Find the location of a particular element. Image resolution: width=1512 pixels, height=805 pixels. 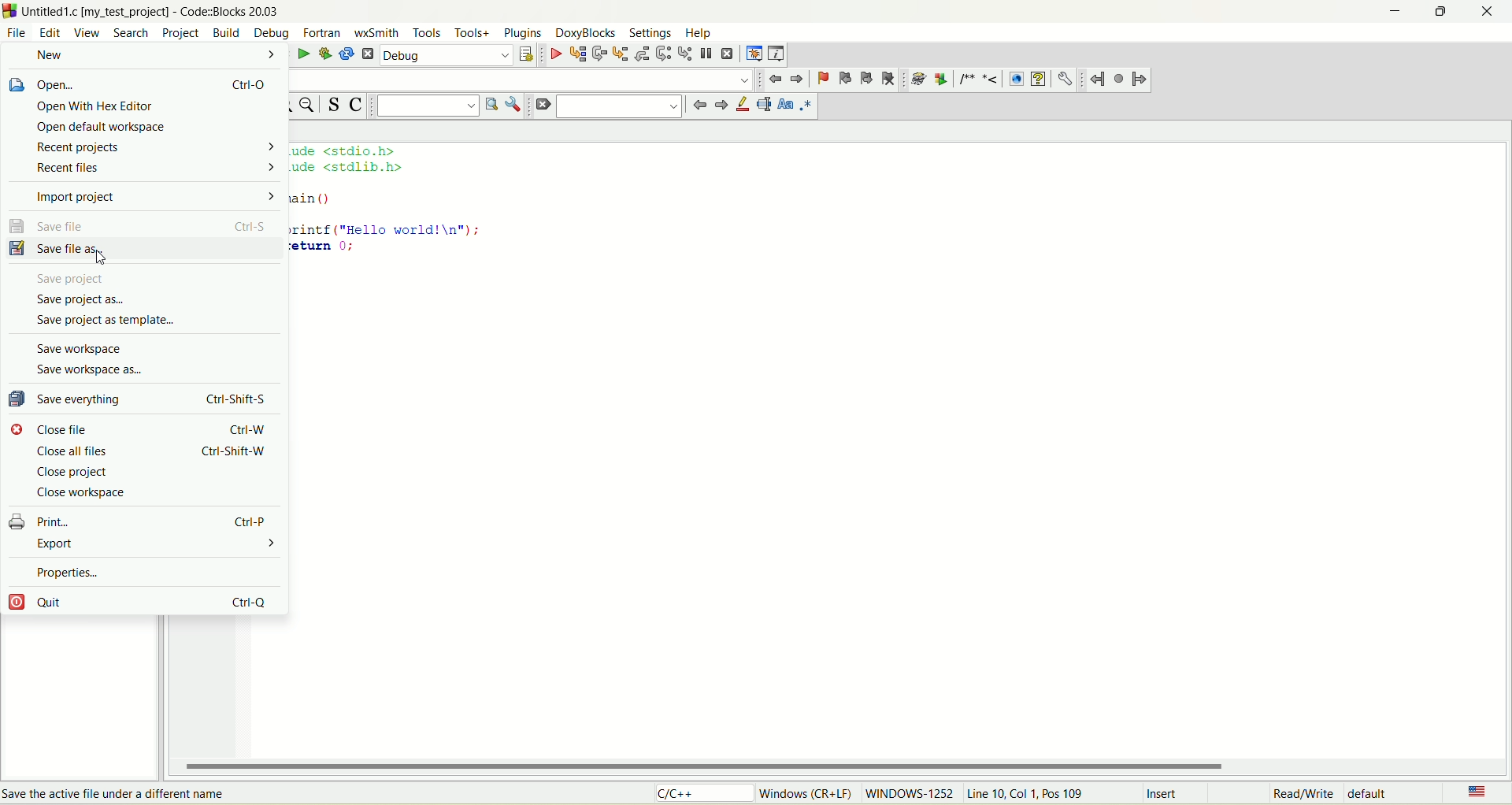

save project as is located at coordinates (81, 300).